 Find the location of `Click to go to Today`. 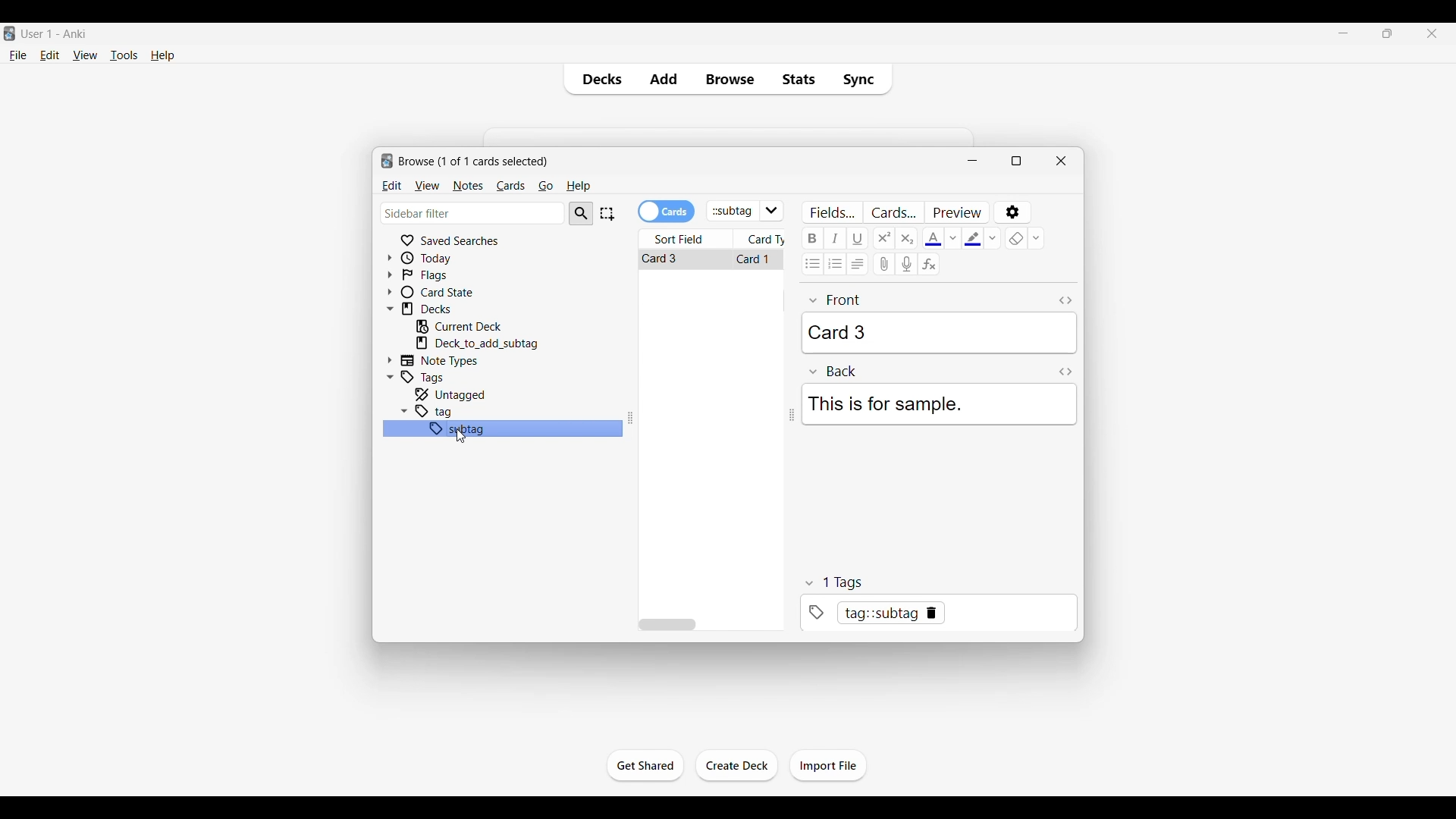

Click to go to Today is located at coordinates (449, 258).